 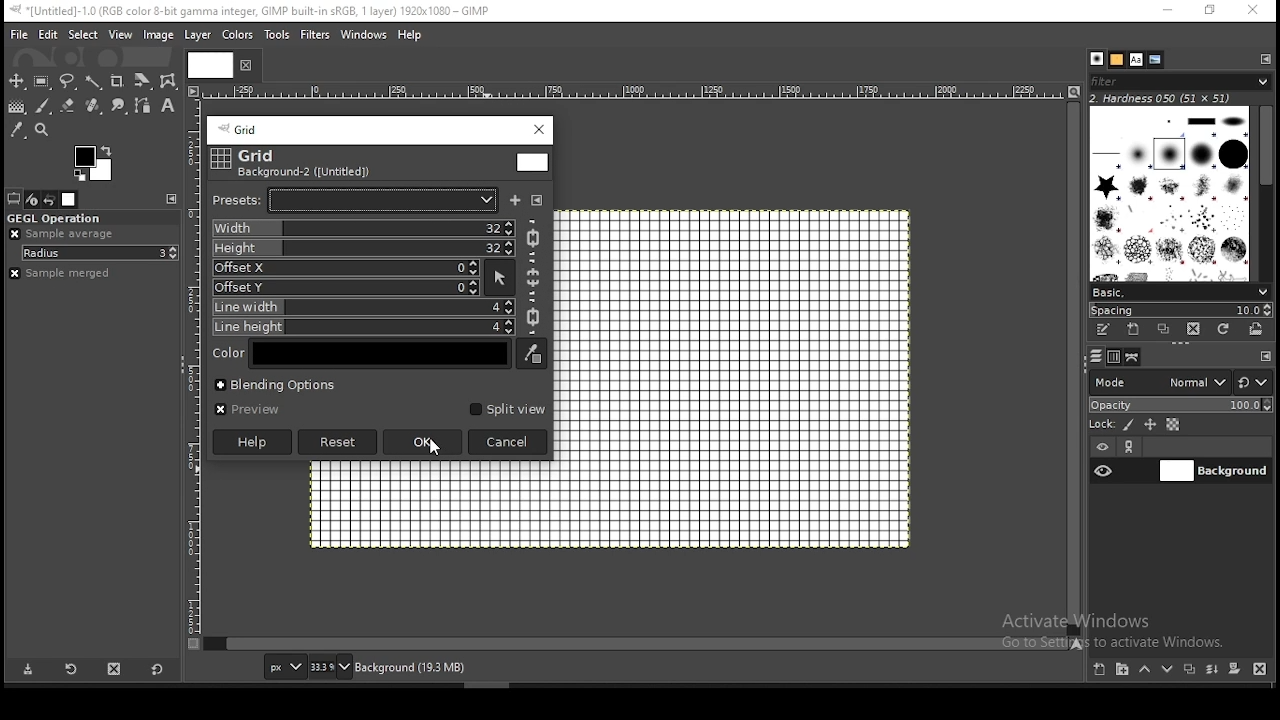 What do you see at coordinates (356, 200) in the screenshot?
I see `pick a preset` at bounding box center [356, 200].